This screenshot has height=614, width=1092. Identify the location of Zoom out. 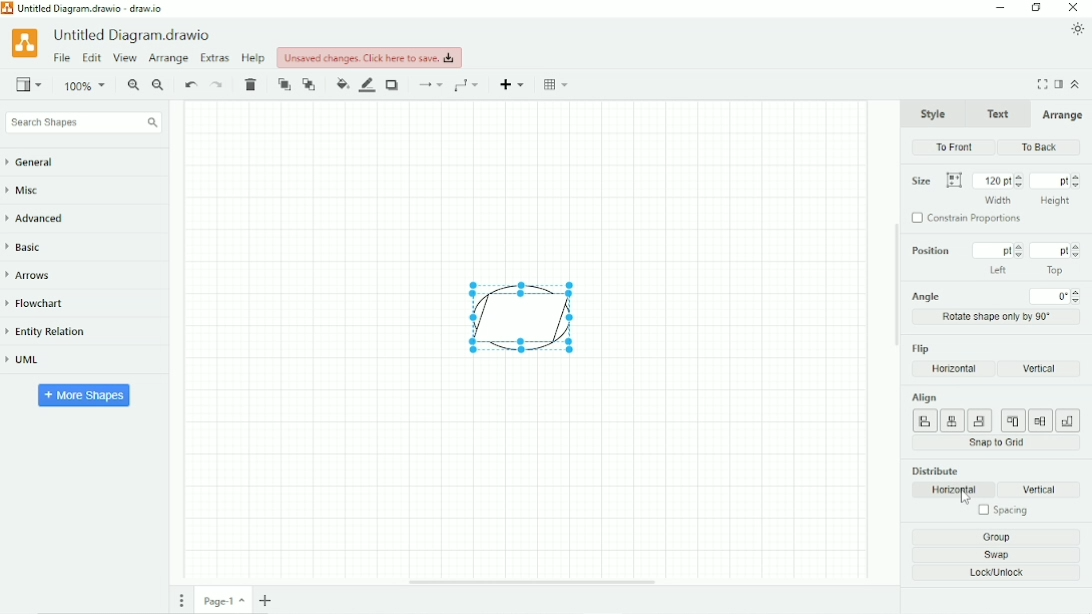
(159, 86).